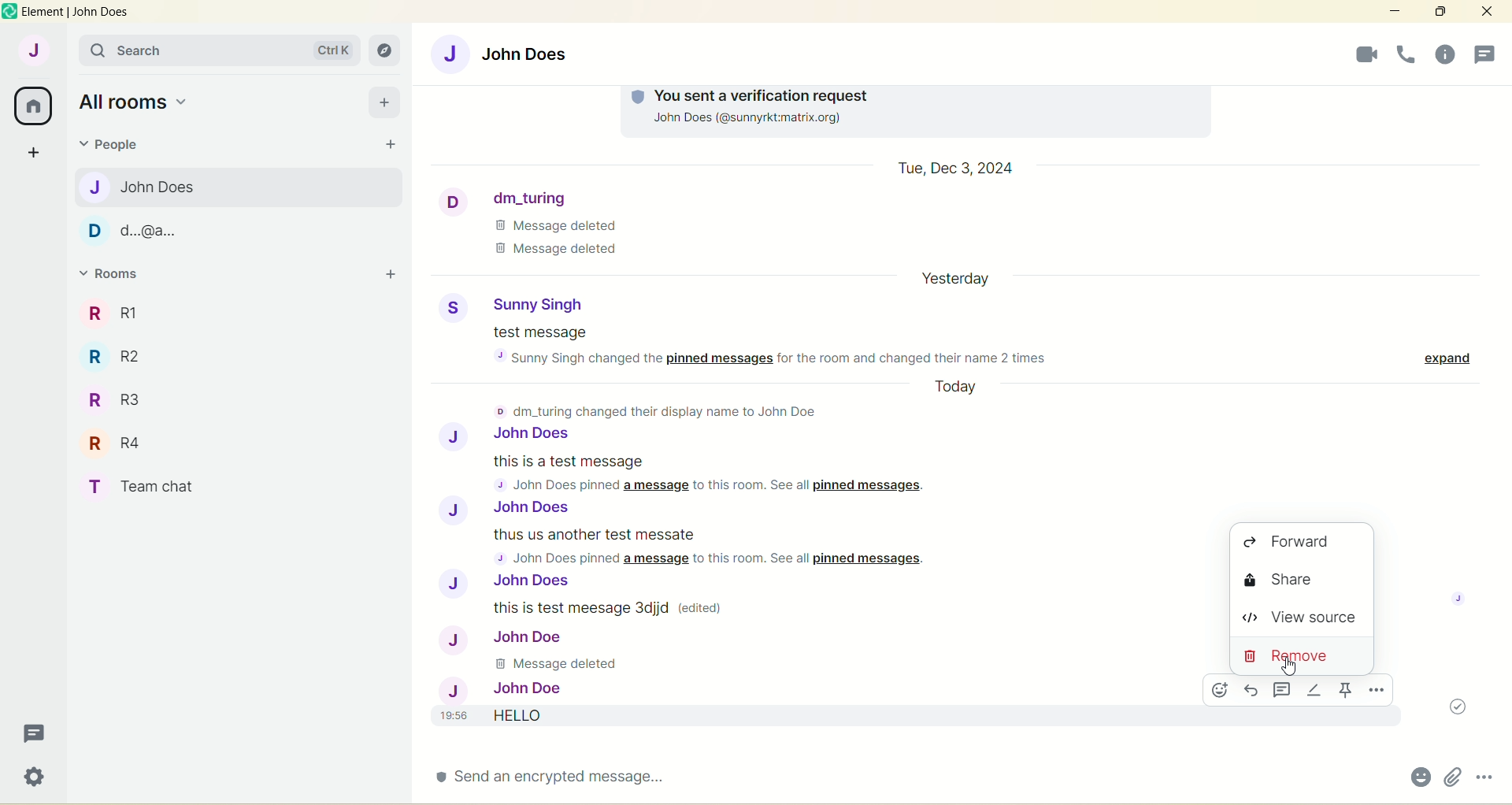 The height and width of the screenshot is (805, 1512). I want to click on threads, so click(1284, 692).